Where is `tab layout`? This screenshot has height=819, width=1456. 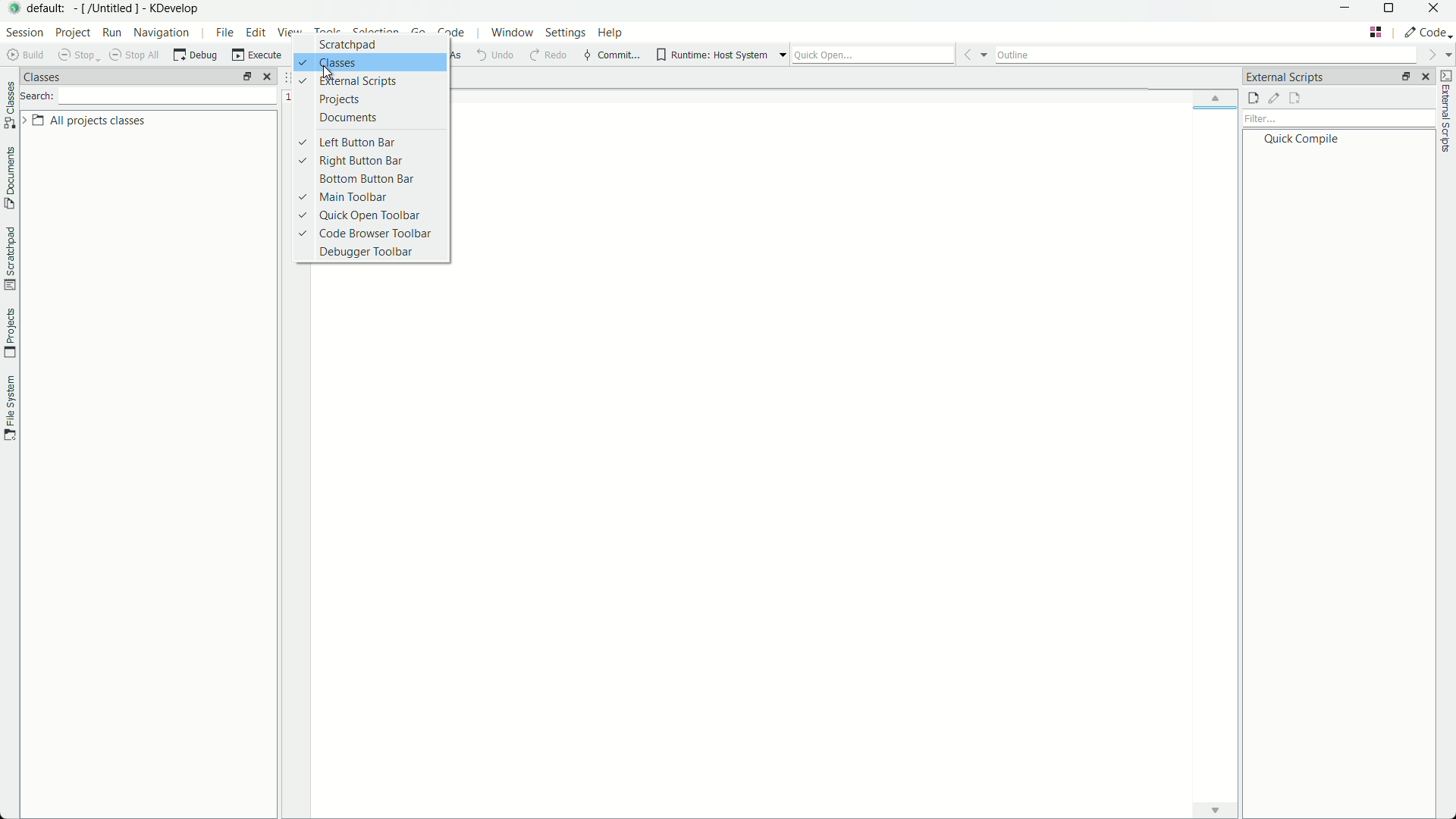
tab layout is located at coordinates (1375, 35).